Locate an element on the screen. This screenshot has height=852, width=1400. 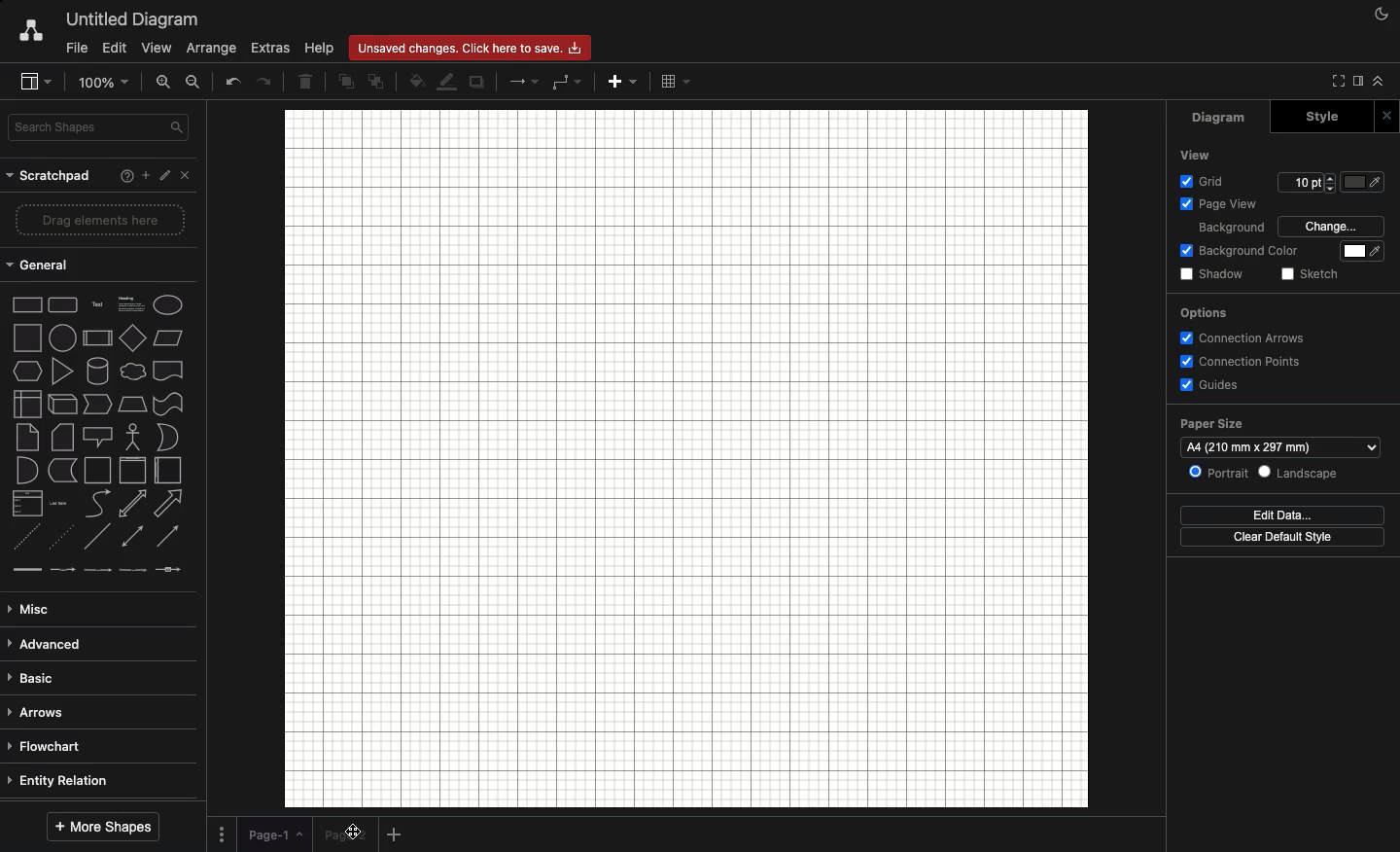
Close is located at coordinates (1385, 116).